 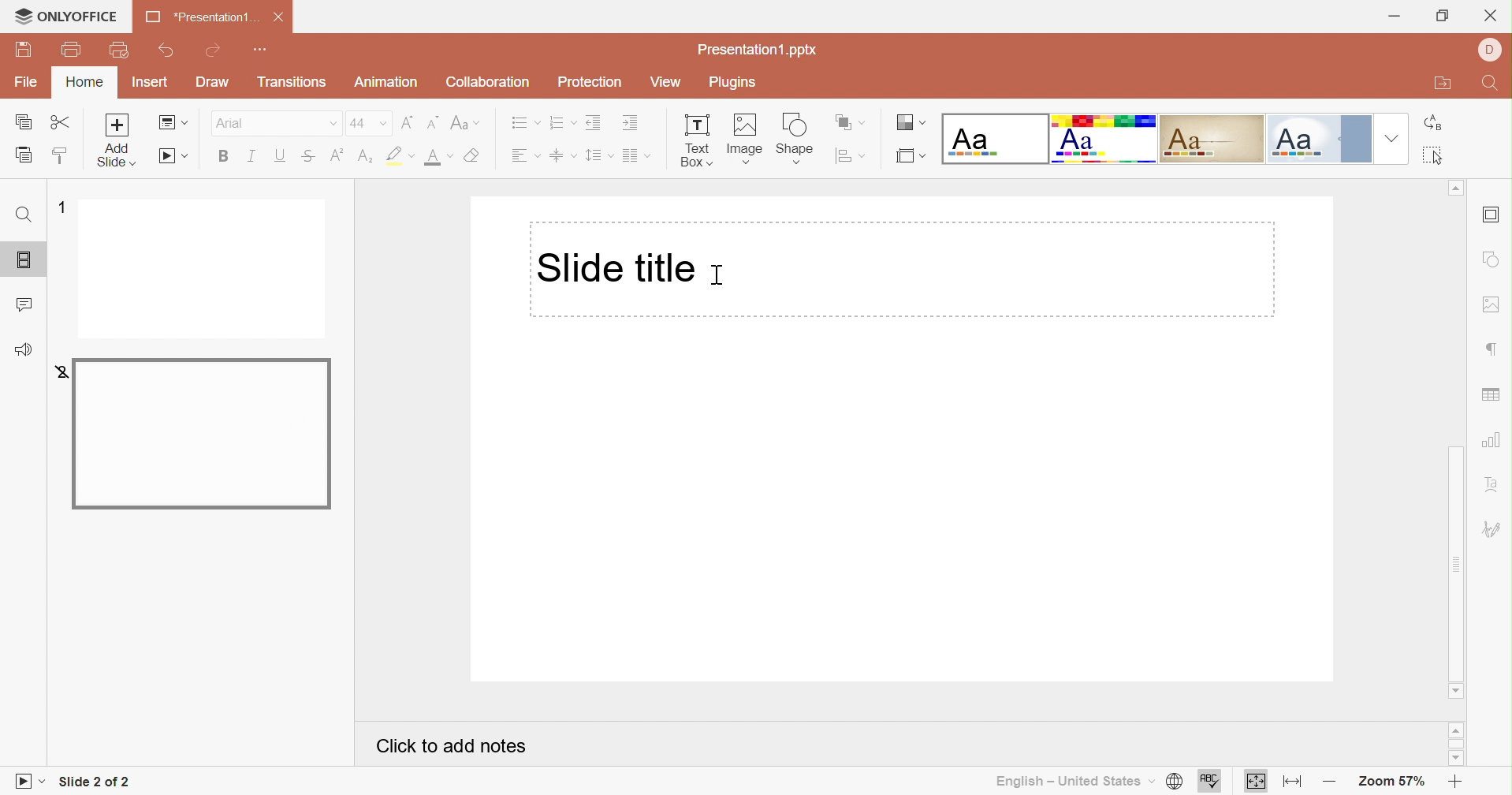 I want to click on Italic, so click(x=255, y=156).